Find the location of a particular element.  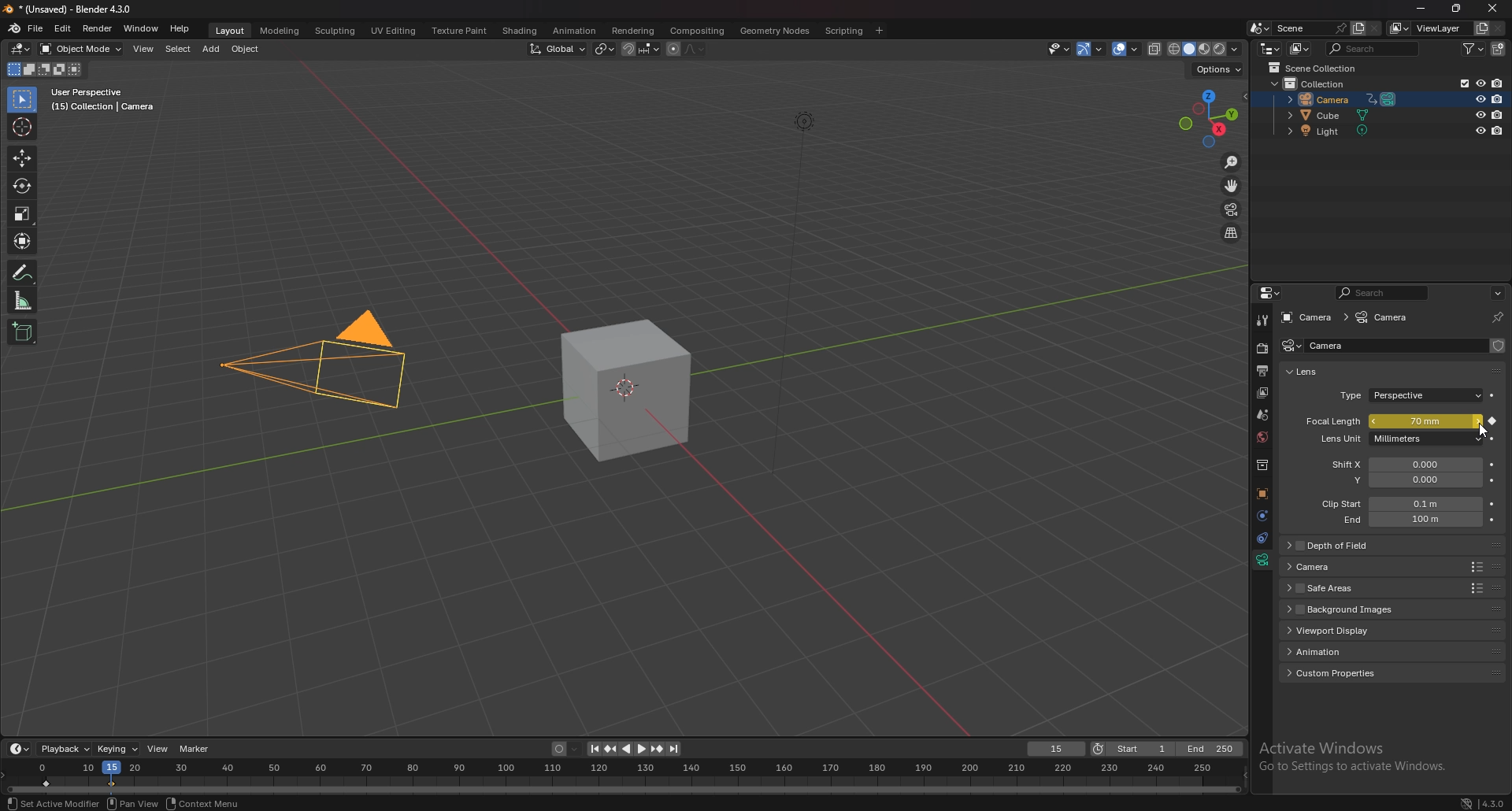

marker is located at coordinates (196, 749).